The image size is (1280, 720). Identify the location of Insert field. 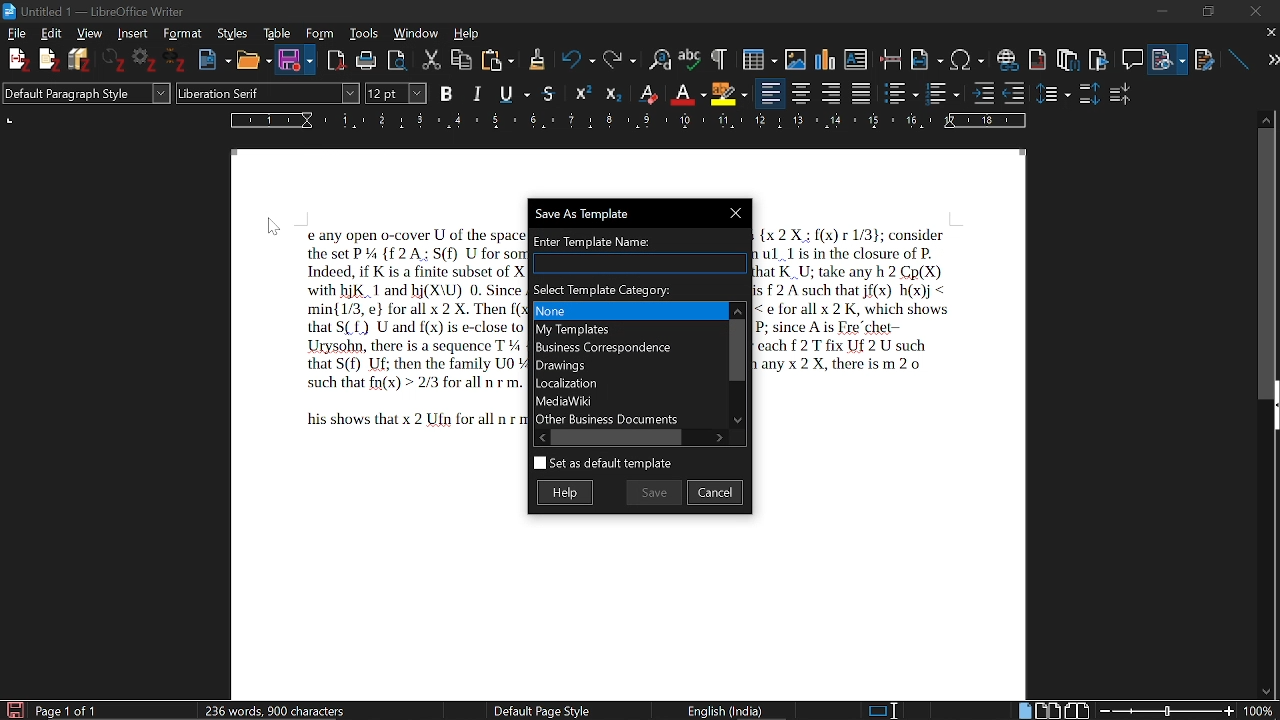
(927, 55).